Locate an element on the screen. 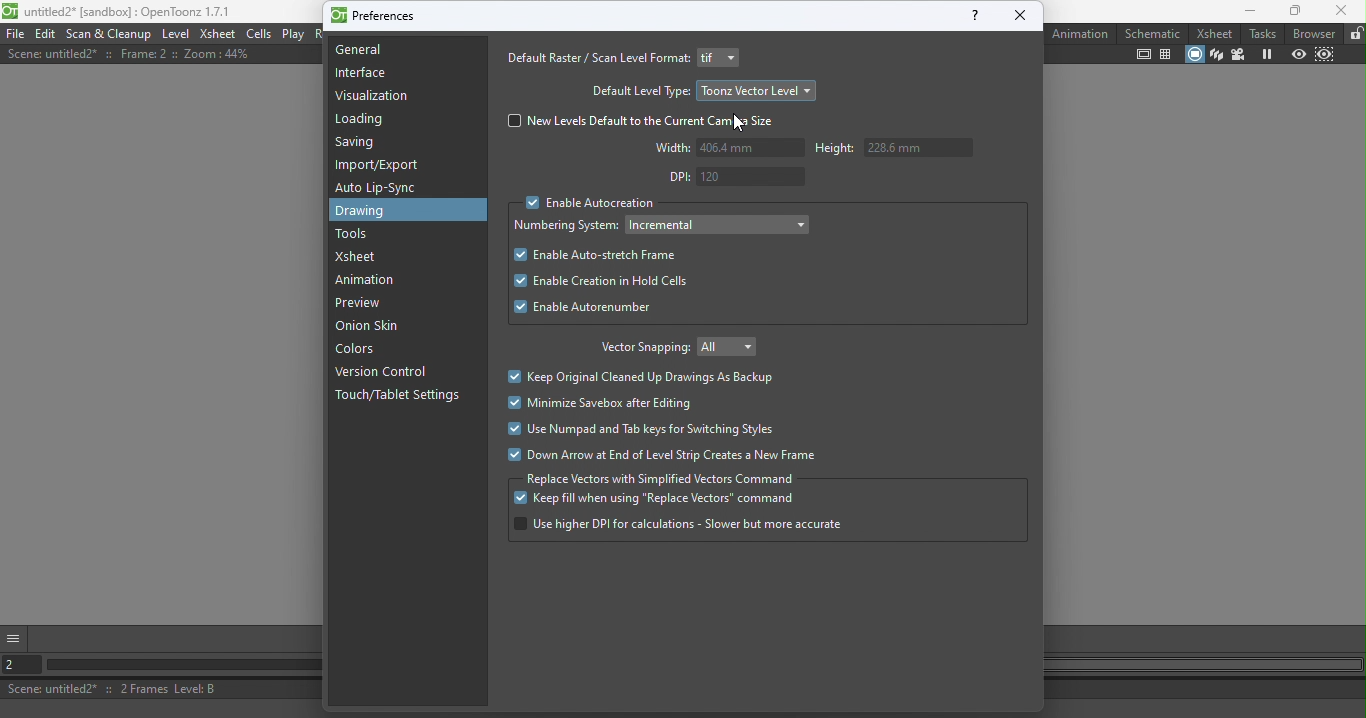  DPI is located at coordinates (733, 176).